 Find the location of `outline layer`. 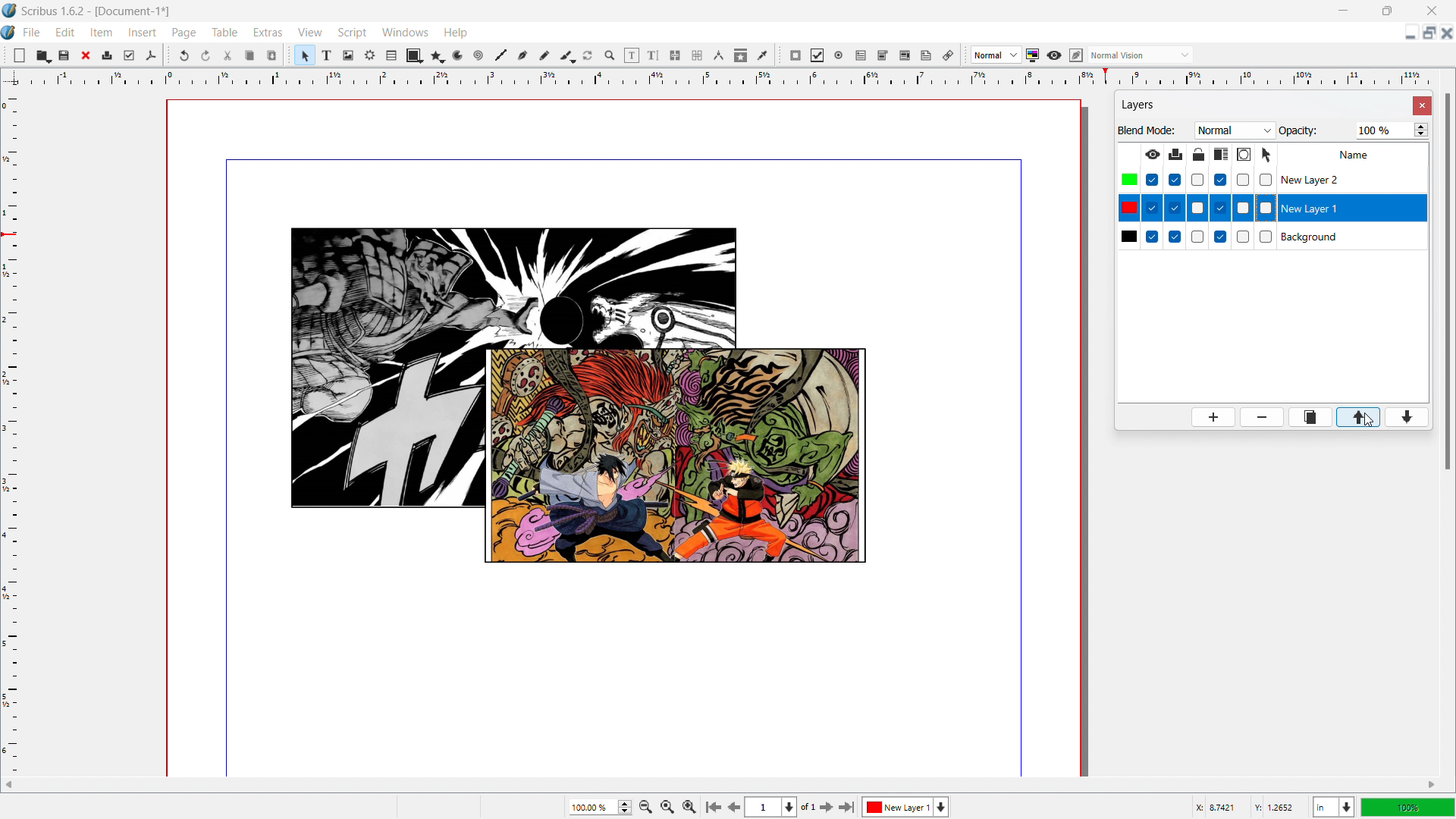

outline layer is located at coordinates (1244, 154).